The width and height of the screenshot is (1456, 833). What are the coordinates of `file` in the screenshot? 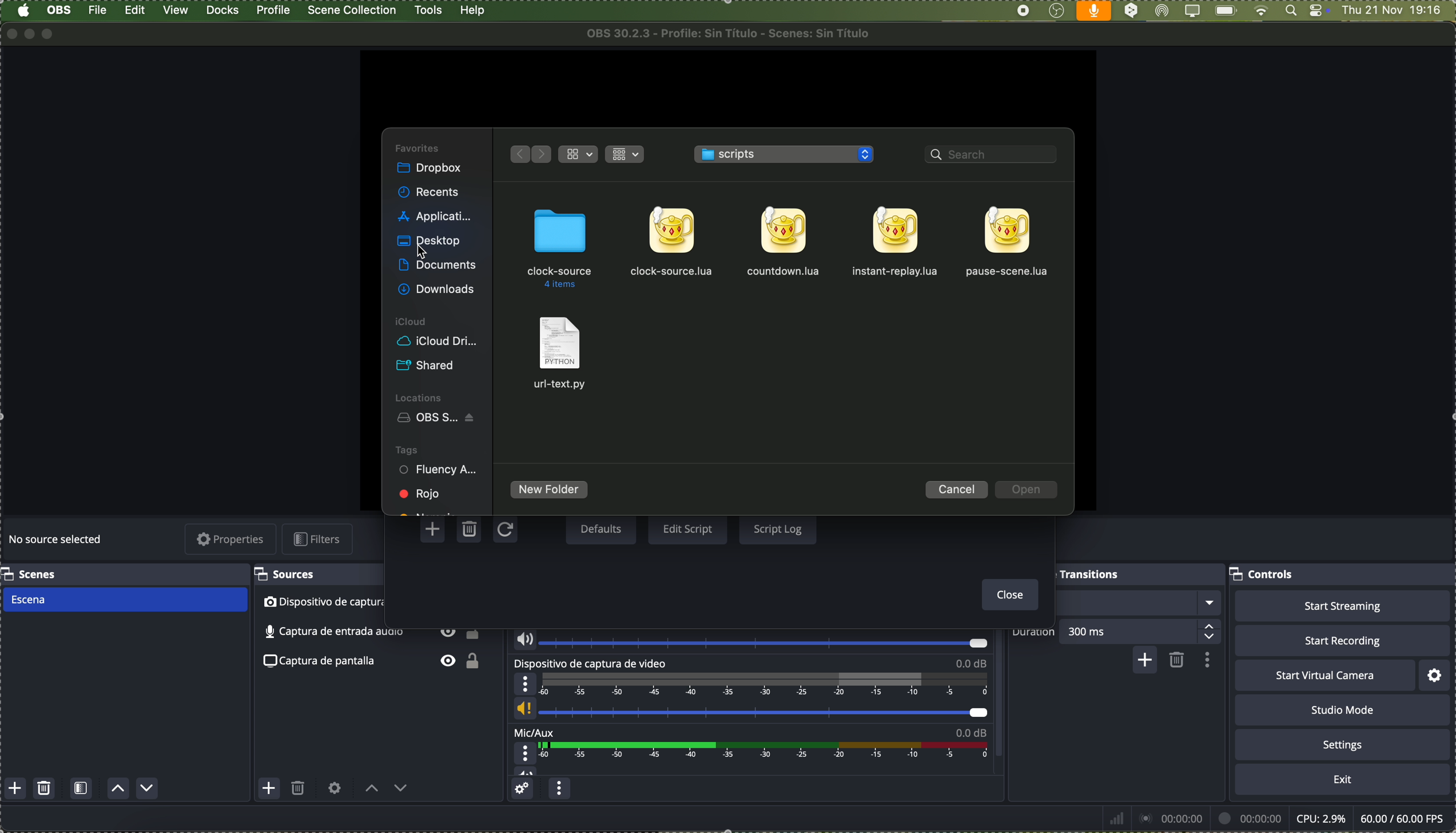 It's located at (1008, 243).